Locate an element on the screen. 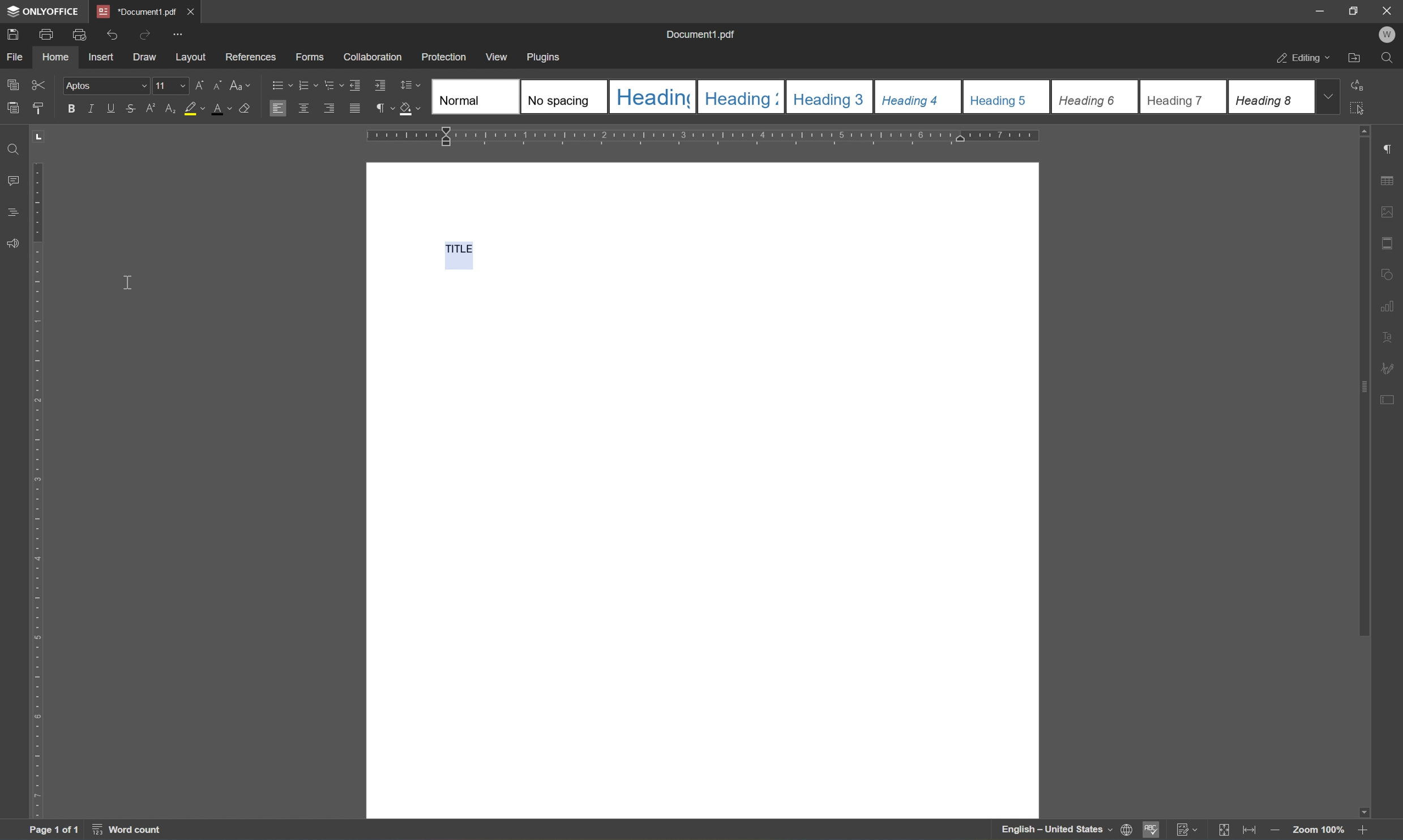  ruler is located at coordinates (36, 488).